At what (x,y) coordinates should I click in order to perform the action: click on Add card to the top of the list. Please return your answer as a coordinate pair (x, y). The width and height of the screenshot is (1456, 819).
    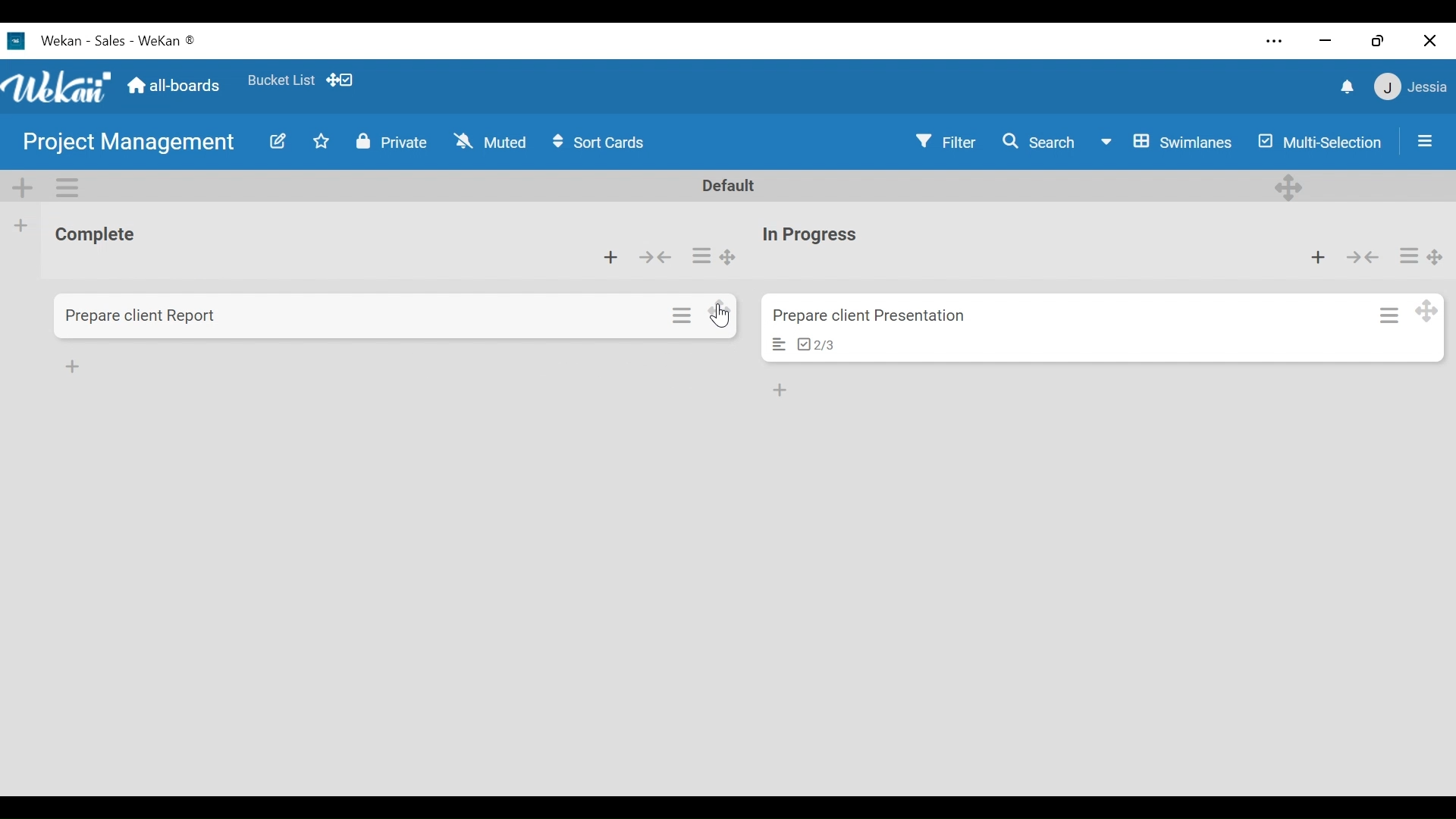
    Looking at the image, I should click on (612, 257).